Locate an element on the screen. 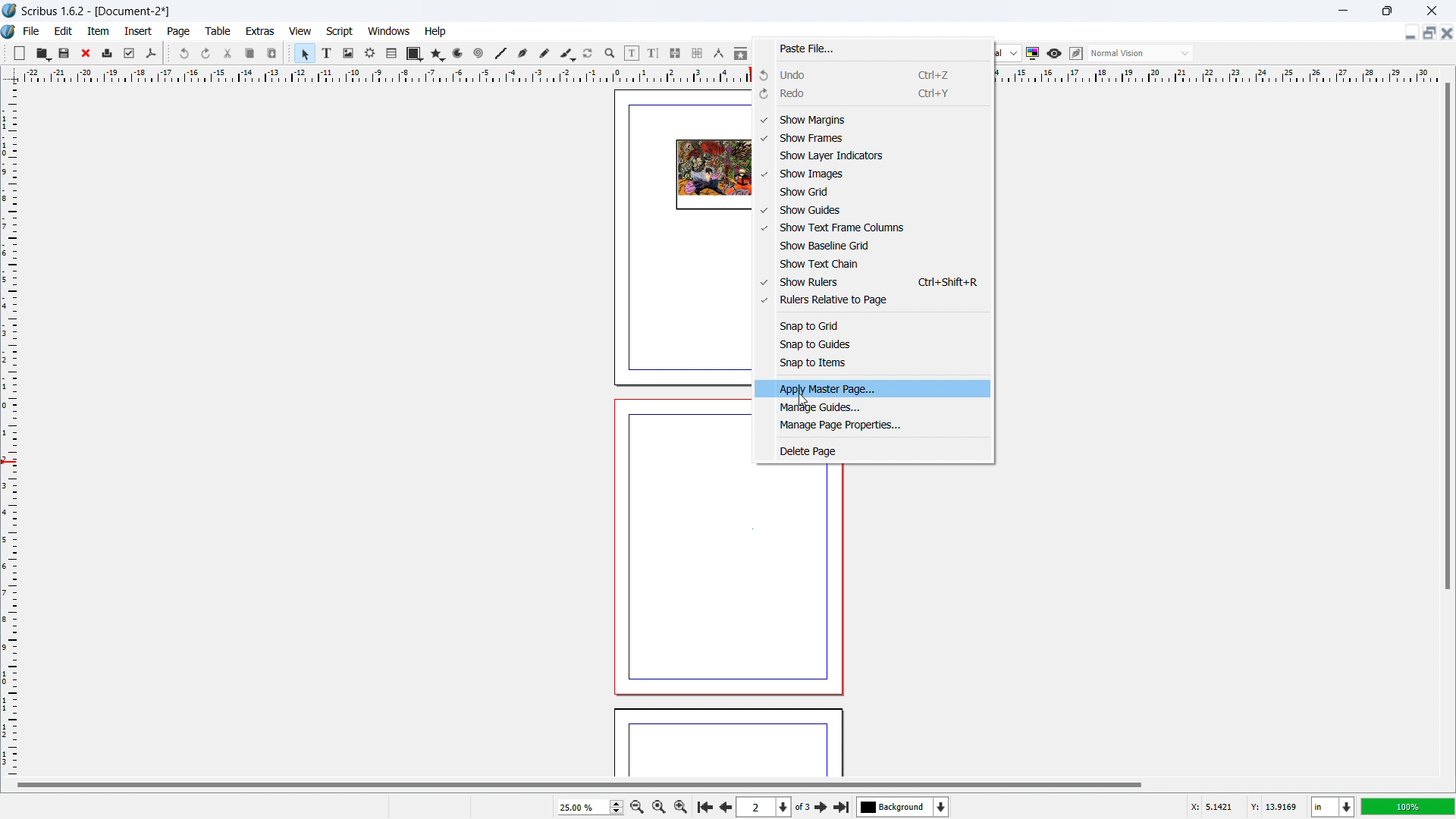 The height and width of the screenshot is (819, 1456). rulers relative to page toggle is located at coordinates (874, 300).